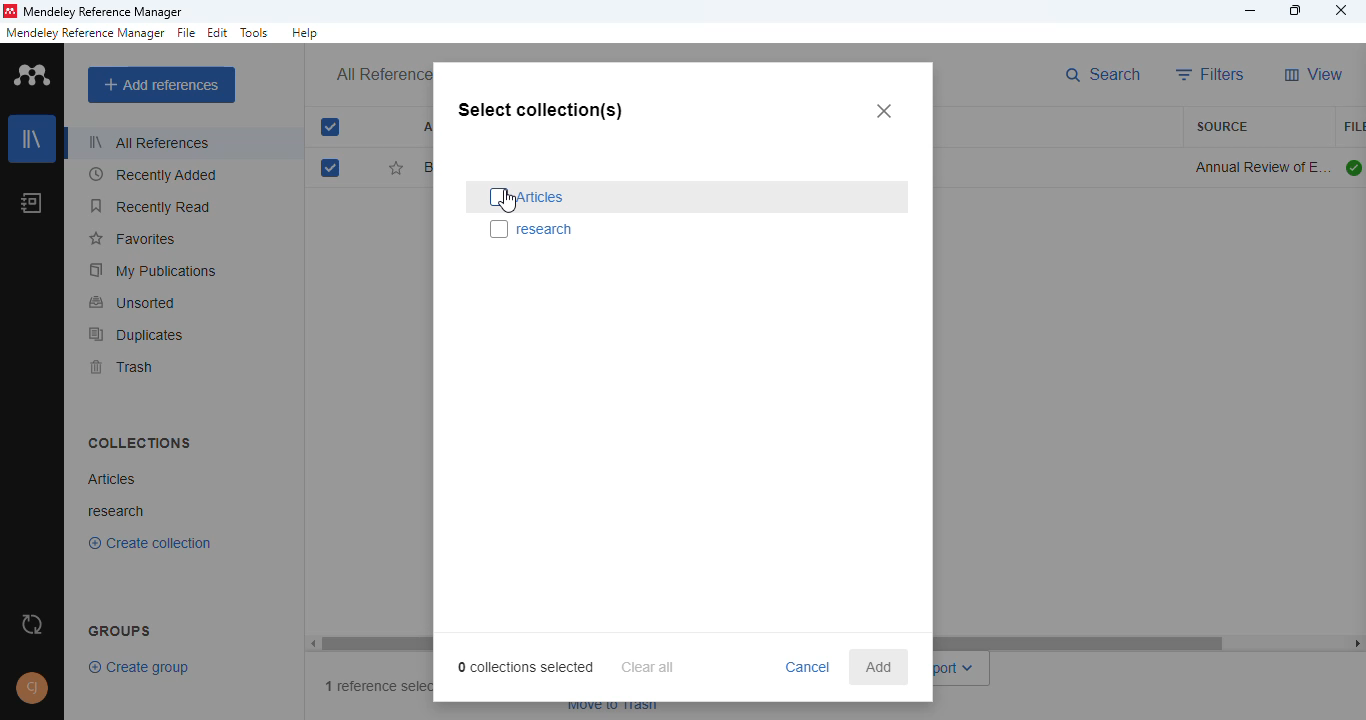  Describe the element at coordinates (216, 32) in the screenshot. I see `edit` at that location.